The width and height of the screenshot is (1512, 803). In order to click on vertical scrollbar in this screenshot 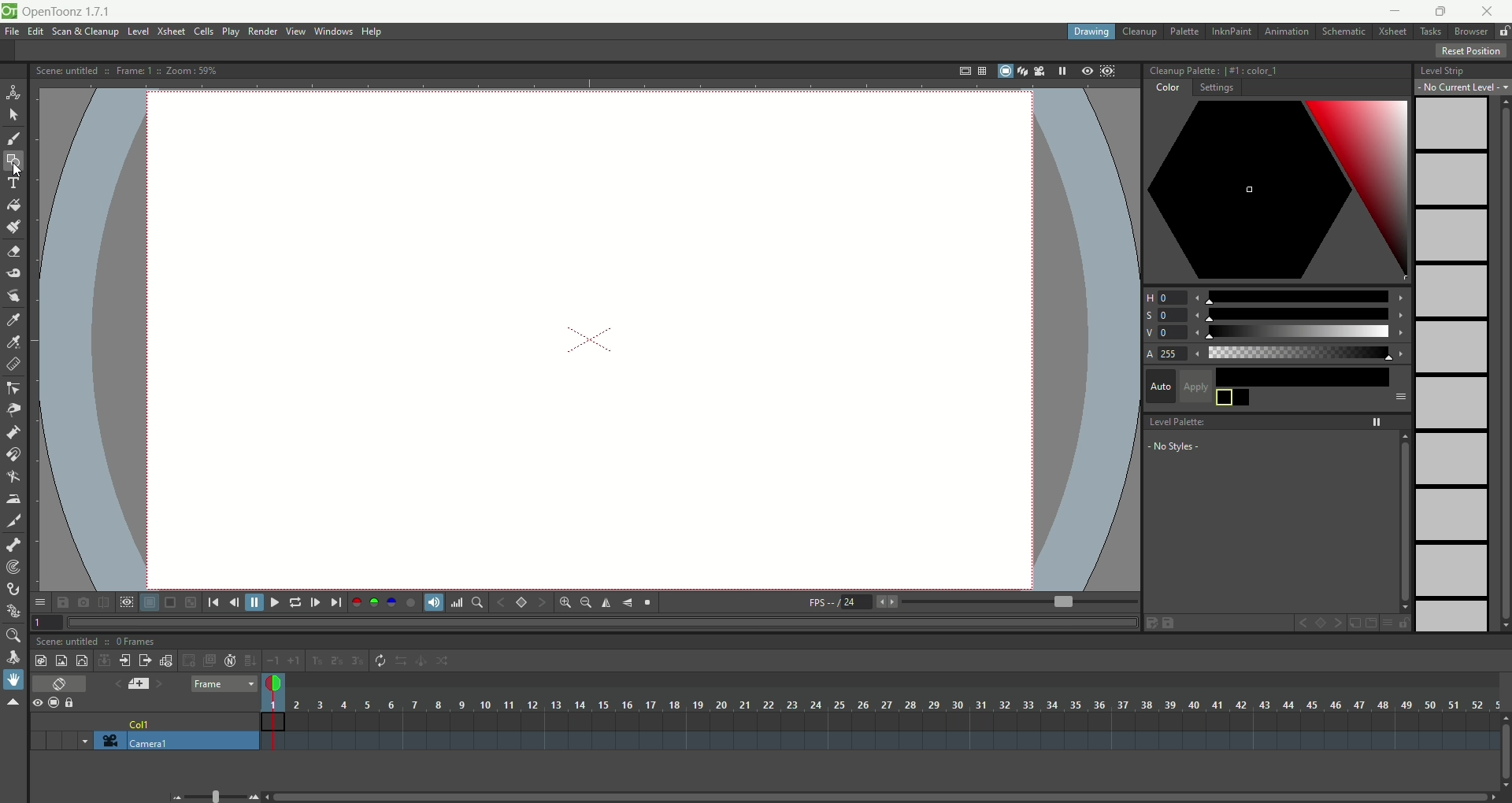, I will do `click(1503, 764)`.